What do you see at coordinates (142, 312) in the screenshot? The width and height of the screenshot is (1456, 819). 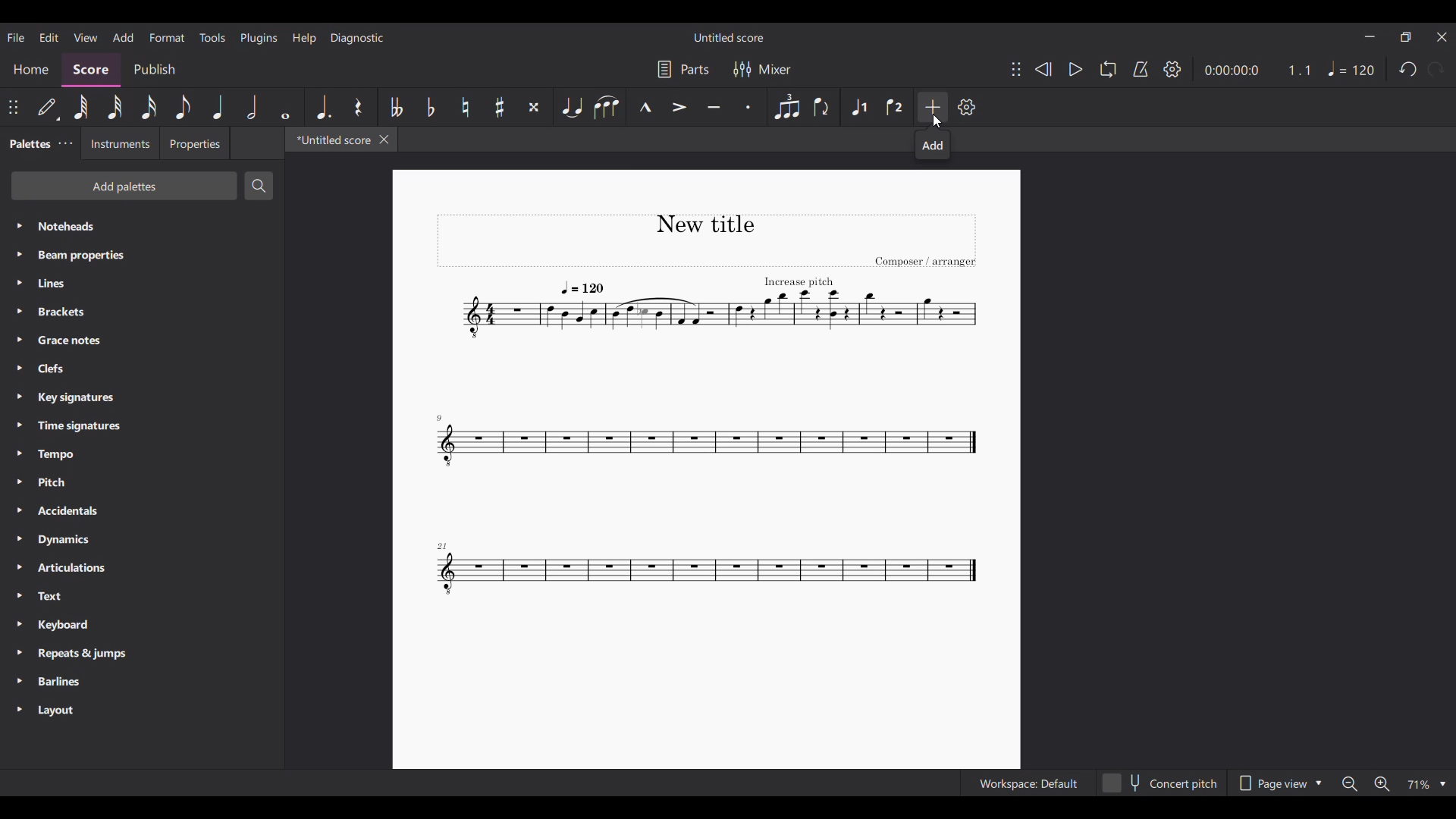 I see `Brackets` at bounding box center [142, 312].